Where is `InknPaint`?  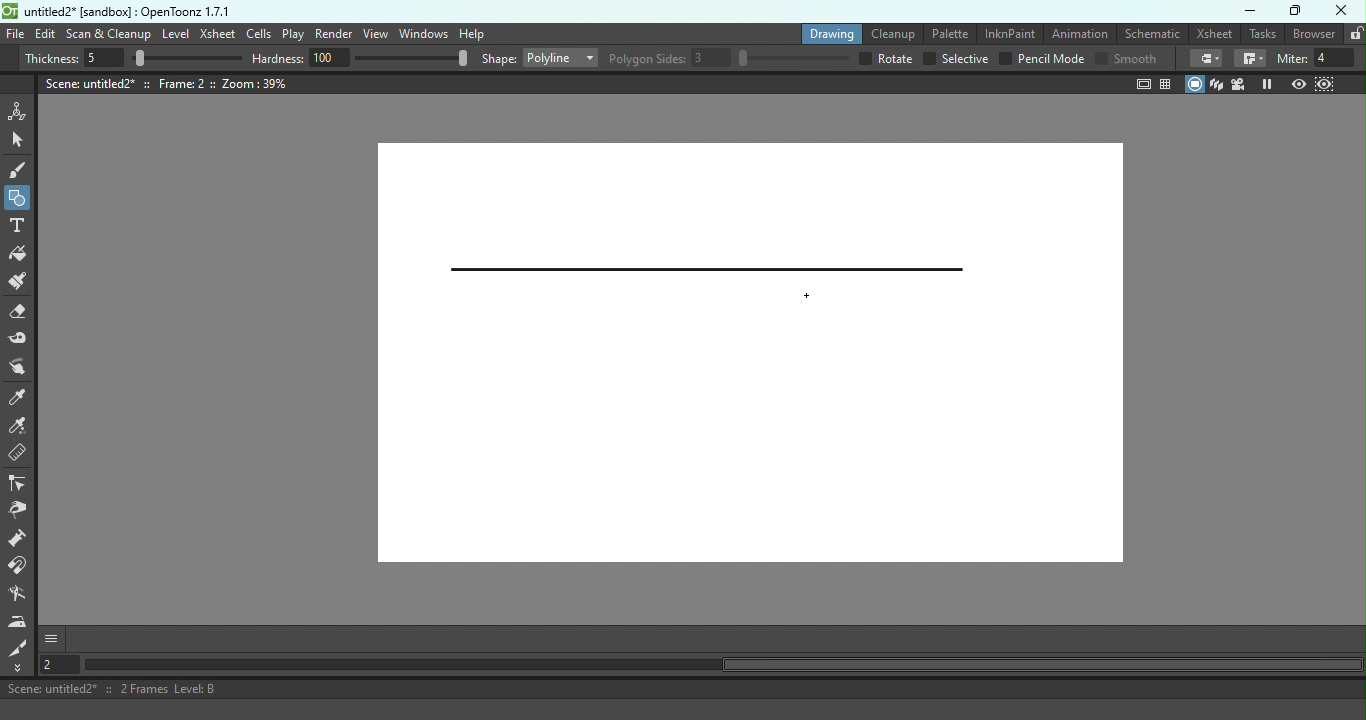
InknPaint is located at coordinates (1009, 32).